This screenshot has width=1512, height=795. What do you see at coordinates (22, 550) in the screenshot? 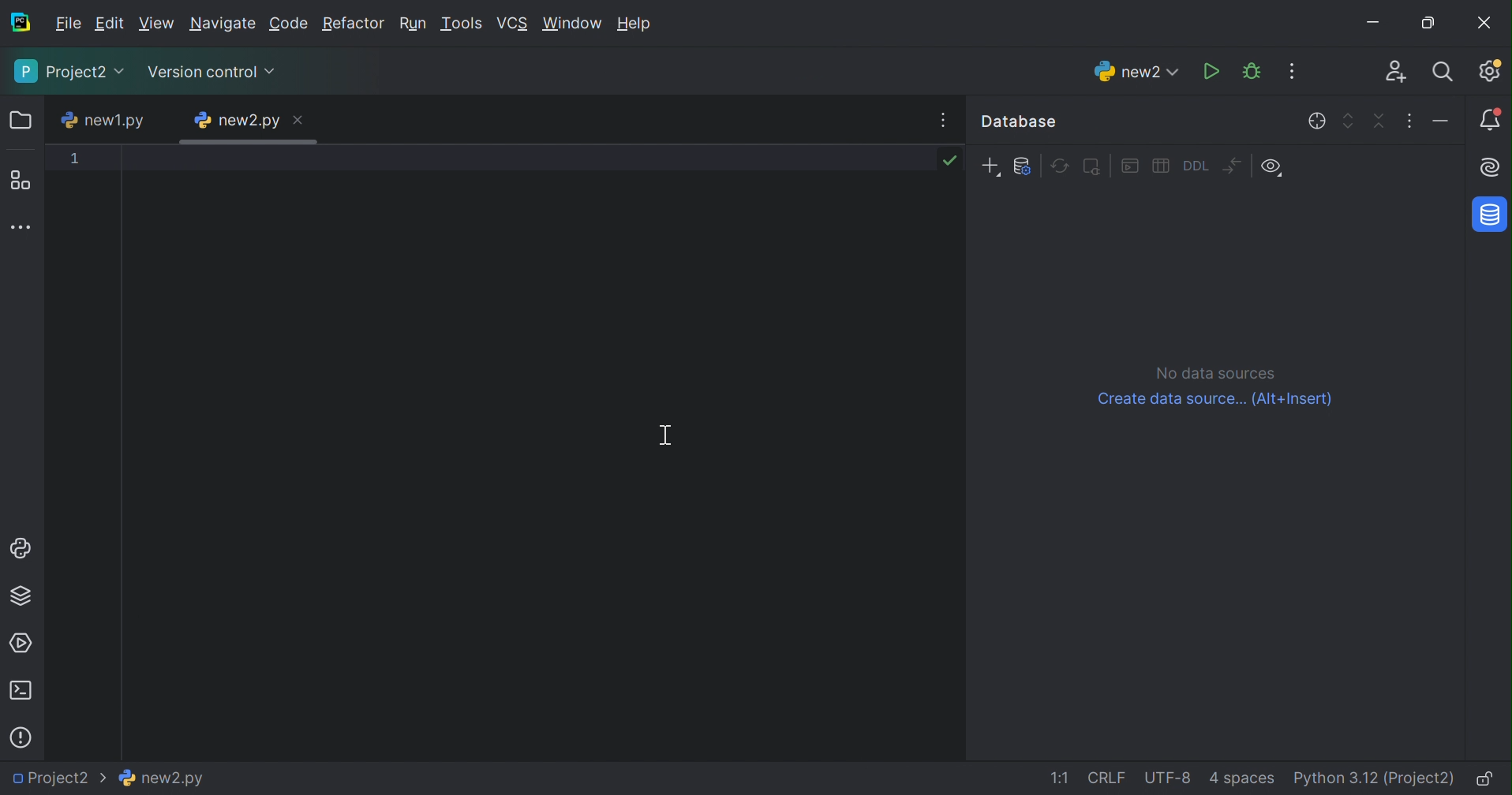
I see `Python Console` at bounding box center [22, 550].